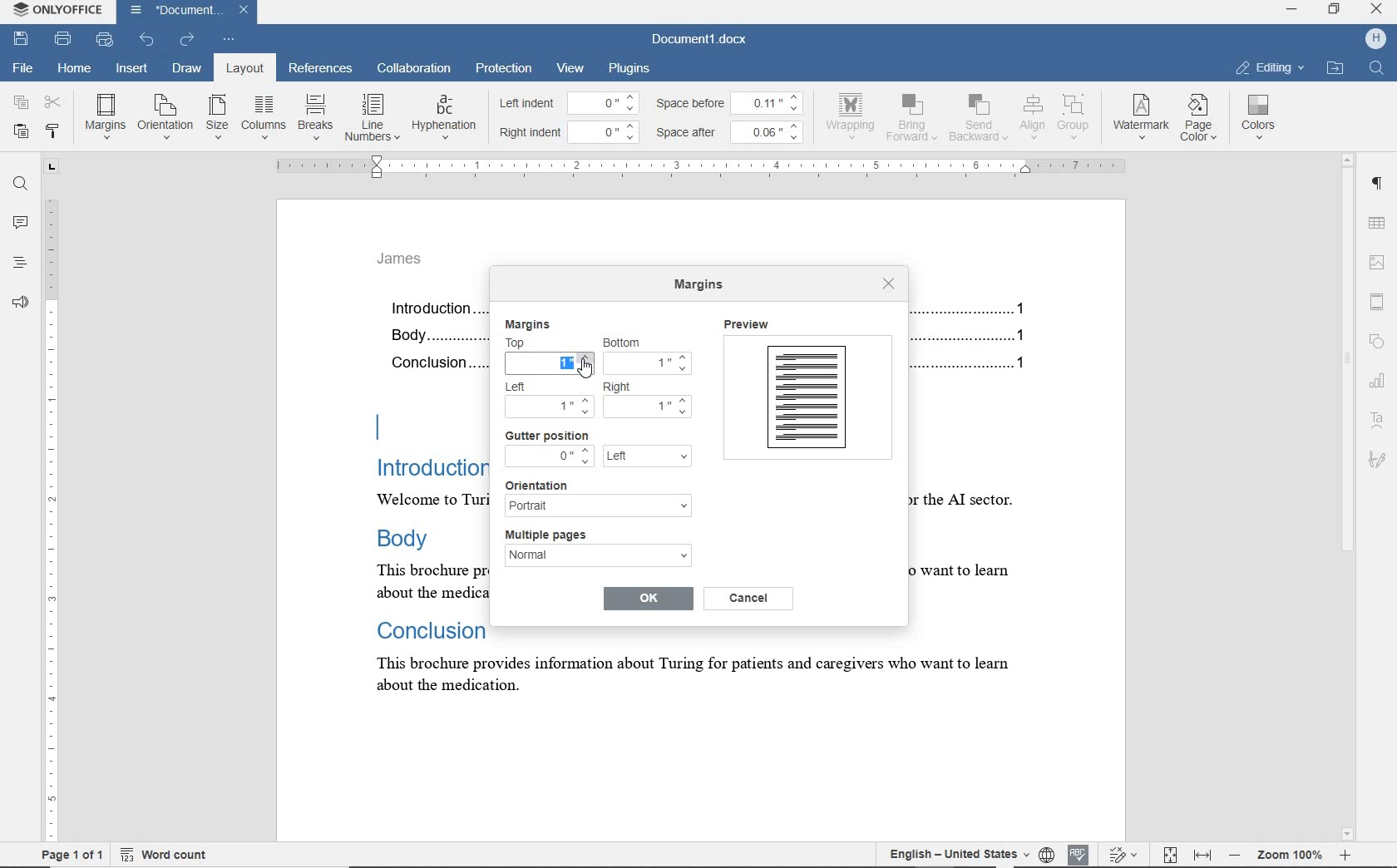  Describe the element at coordinates (1376, 458) in the screenshot. I see `signature` at that location.